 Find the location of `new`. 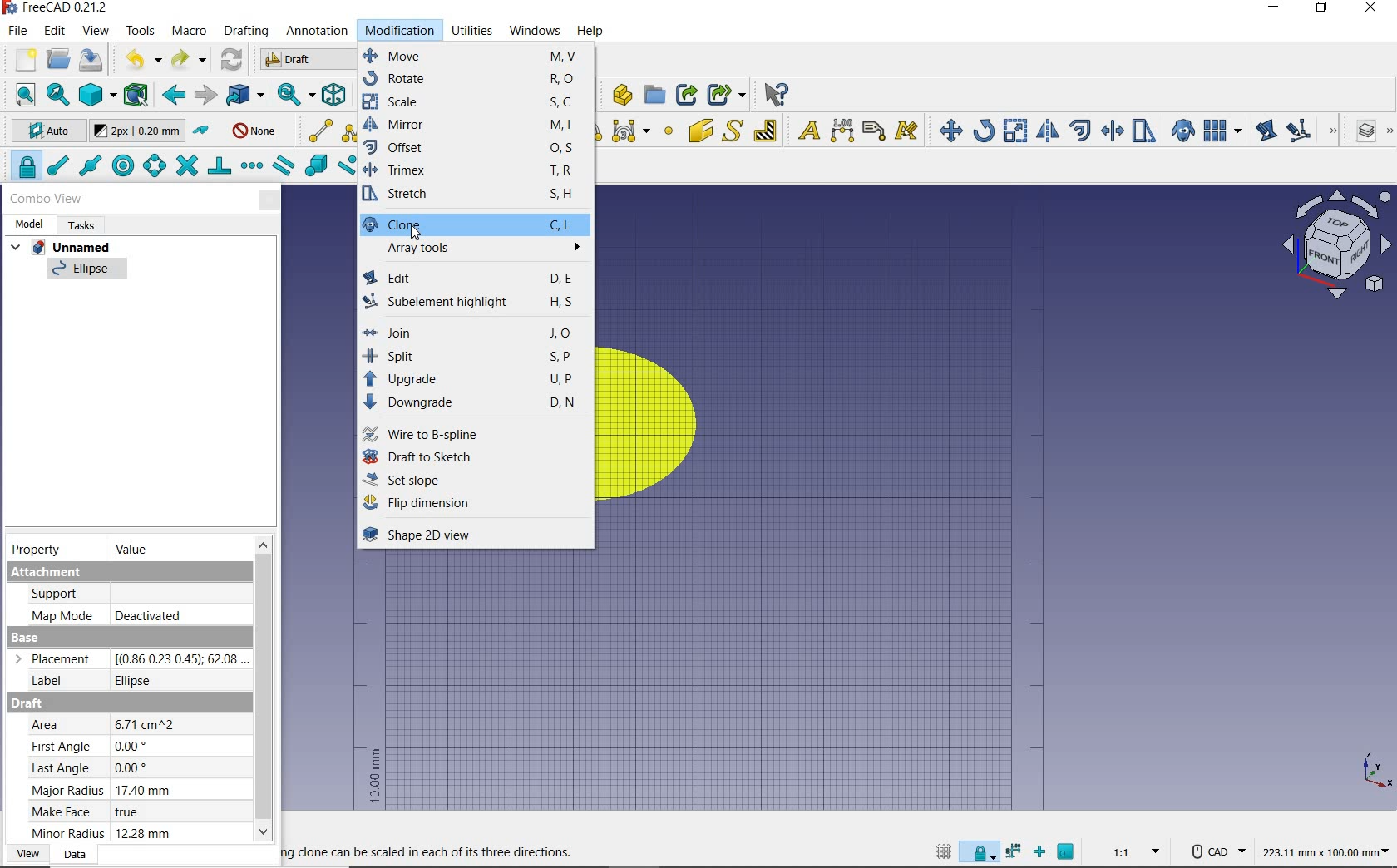

new is located at coordinates (19, 61).